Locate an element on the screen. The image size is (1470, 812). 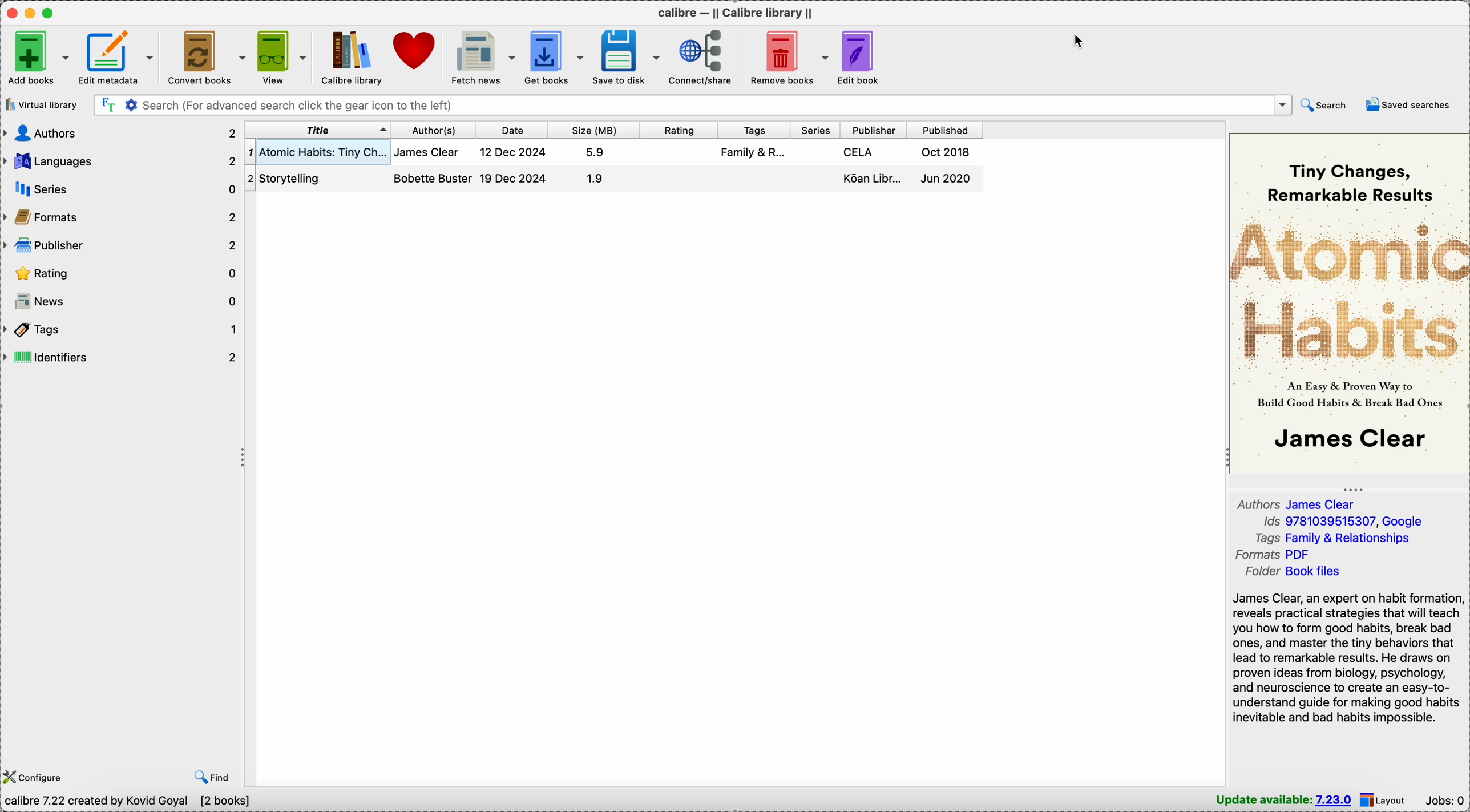
formats: PDF is located at coordinates (1276, 555).